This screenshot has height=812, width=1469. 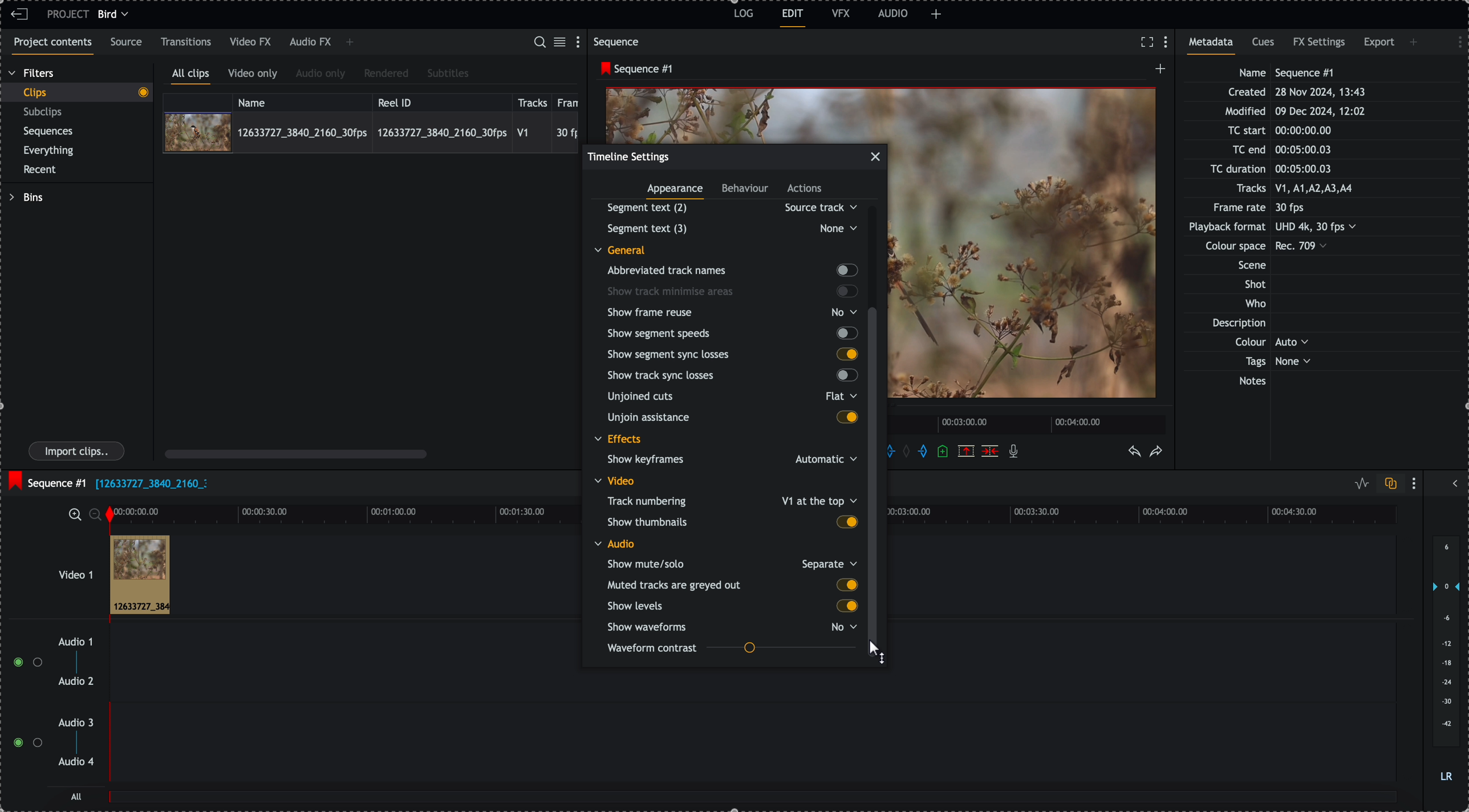 I want to click on delete/cut, so click(x=990, y=451).